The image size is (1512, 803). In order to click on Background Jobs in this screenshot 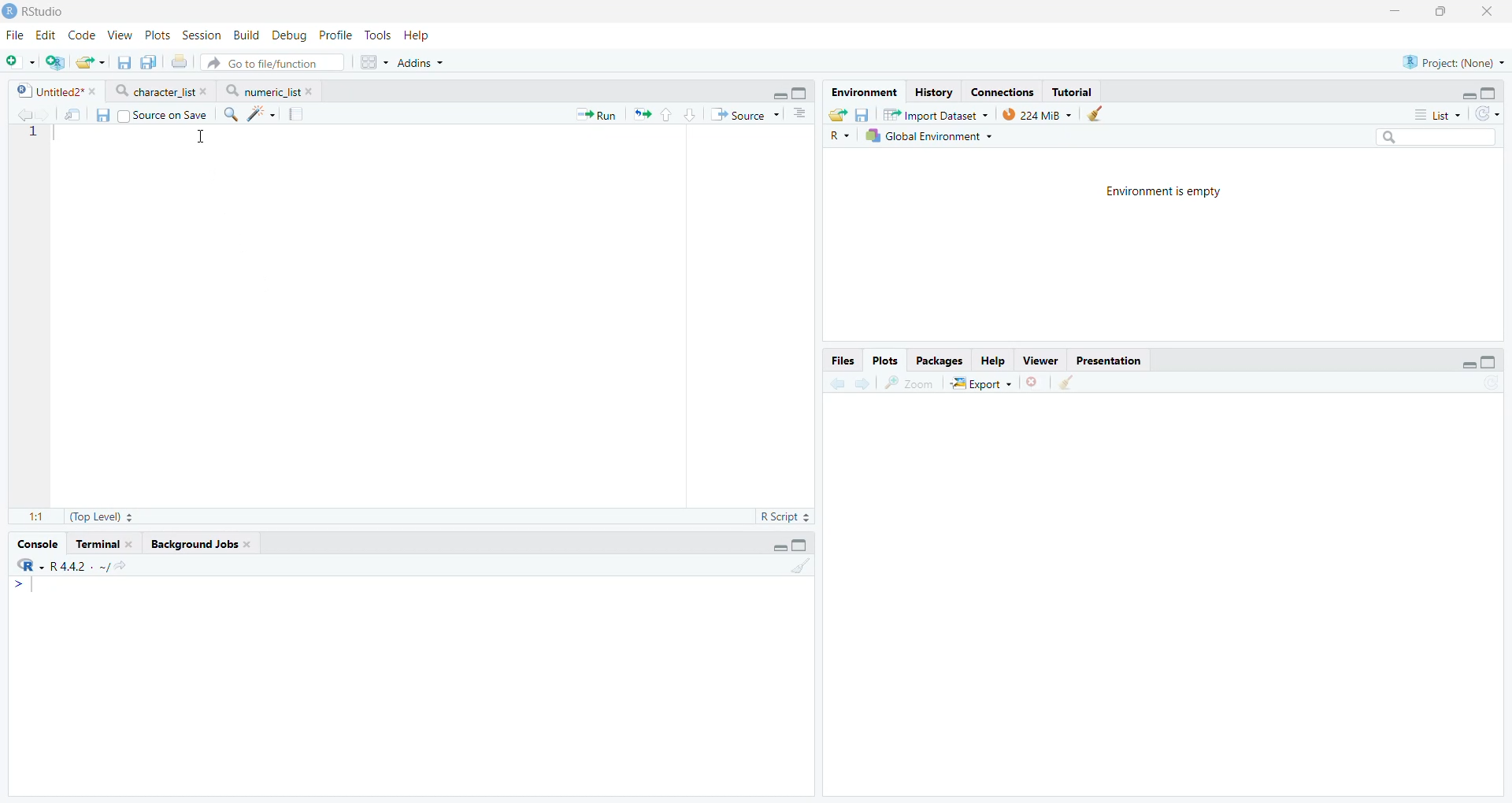, I will do `click(201, 546)`.